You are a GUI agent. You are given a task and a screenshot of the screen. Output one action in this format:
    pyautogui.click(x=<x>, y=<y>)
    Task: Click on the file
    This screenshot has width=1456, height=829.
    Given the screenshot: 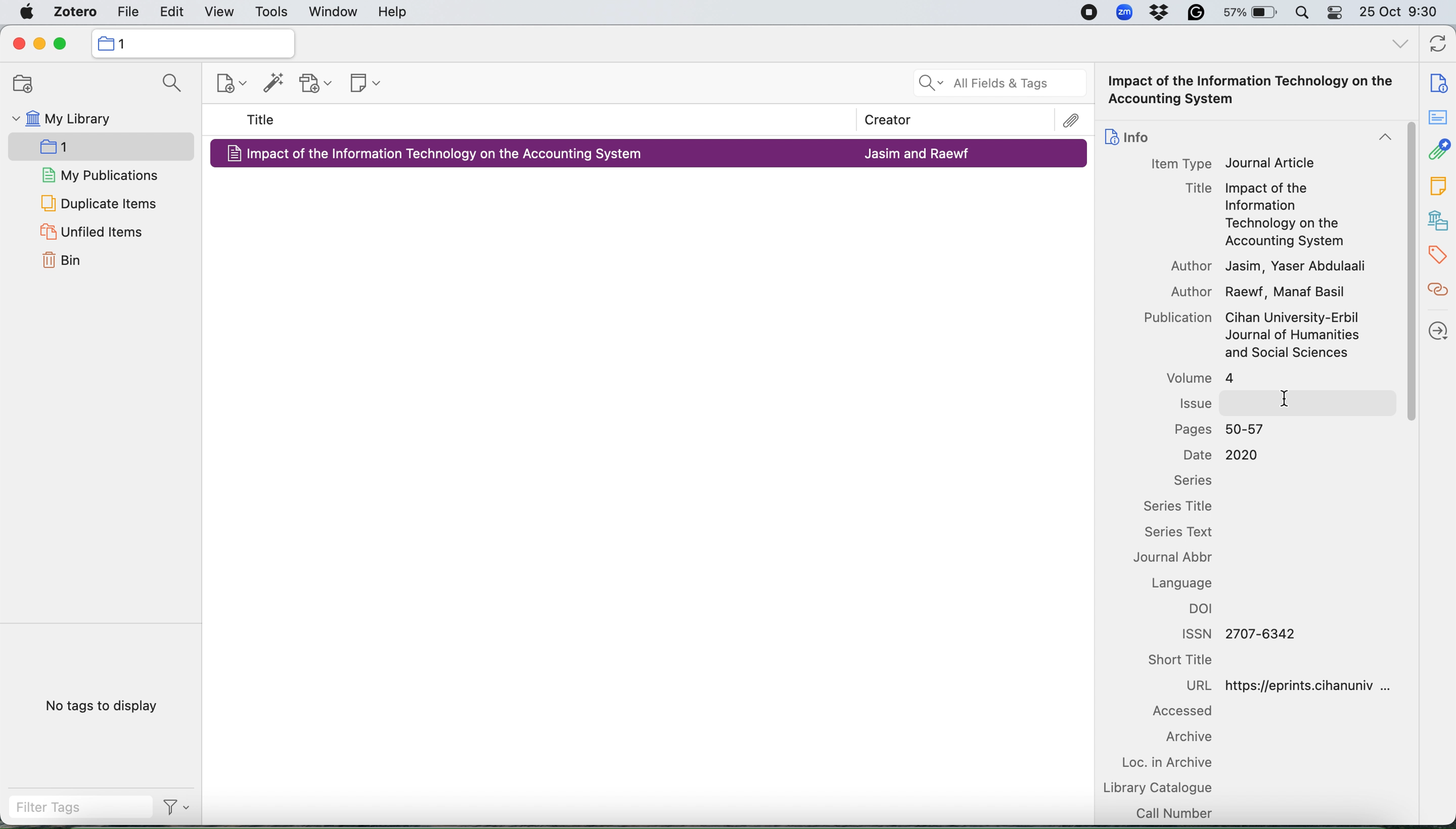 What is the action you would take?
    pyautogui.click(x=127, y=11)
    